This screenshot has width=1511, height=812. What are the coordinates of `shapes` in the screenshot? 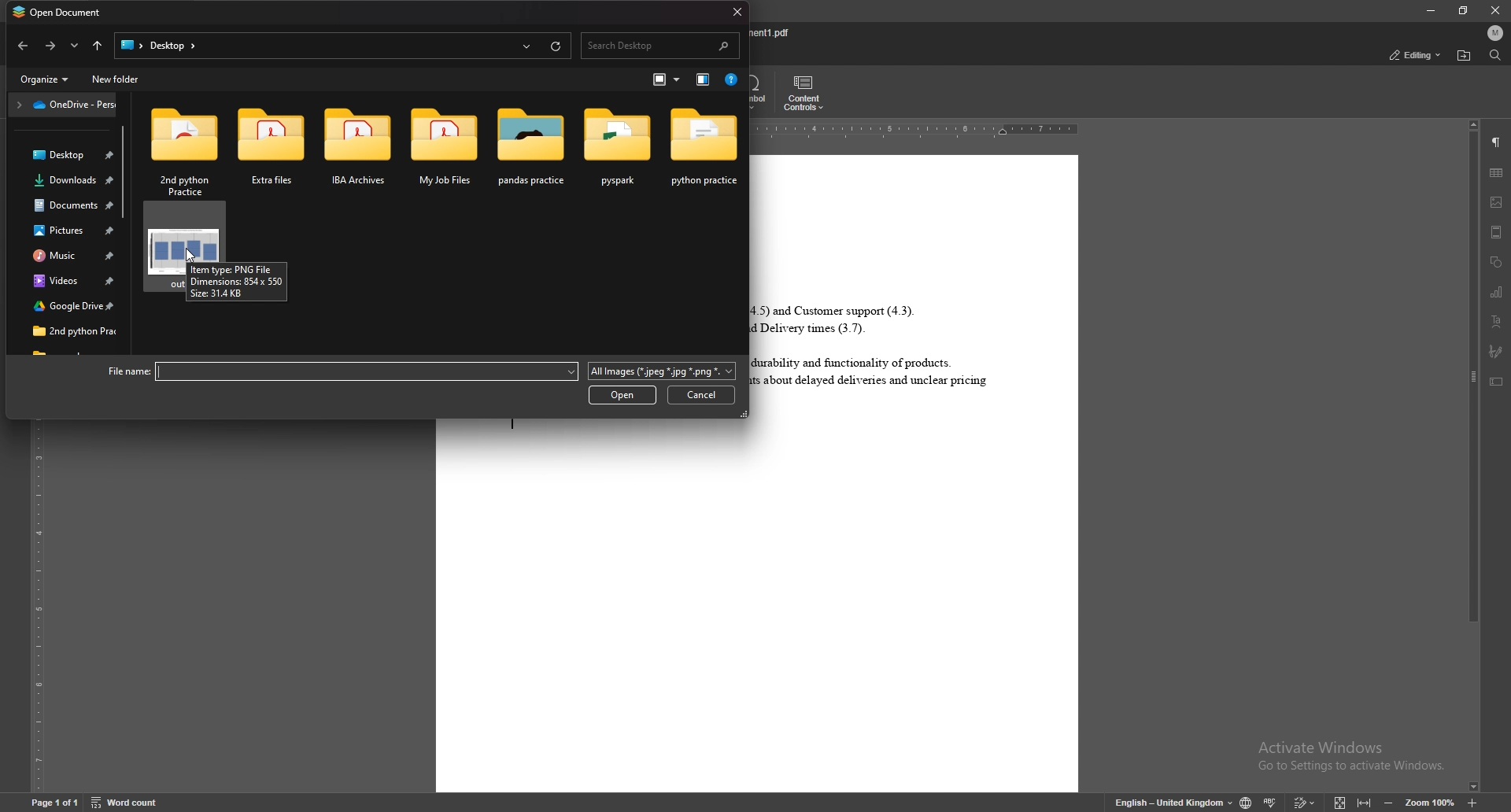 It's located at (1495, 262).